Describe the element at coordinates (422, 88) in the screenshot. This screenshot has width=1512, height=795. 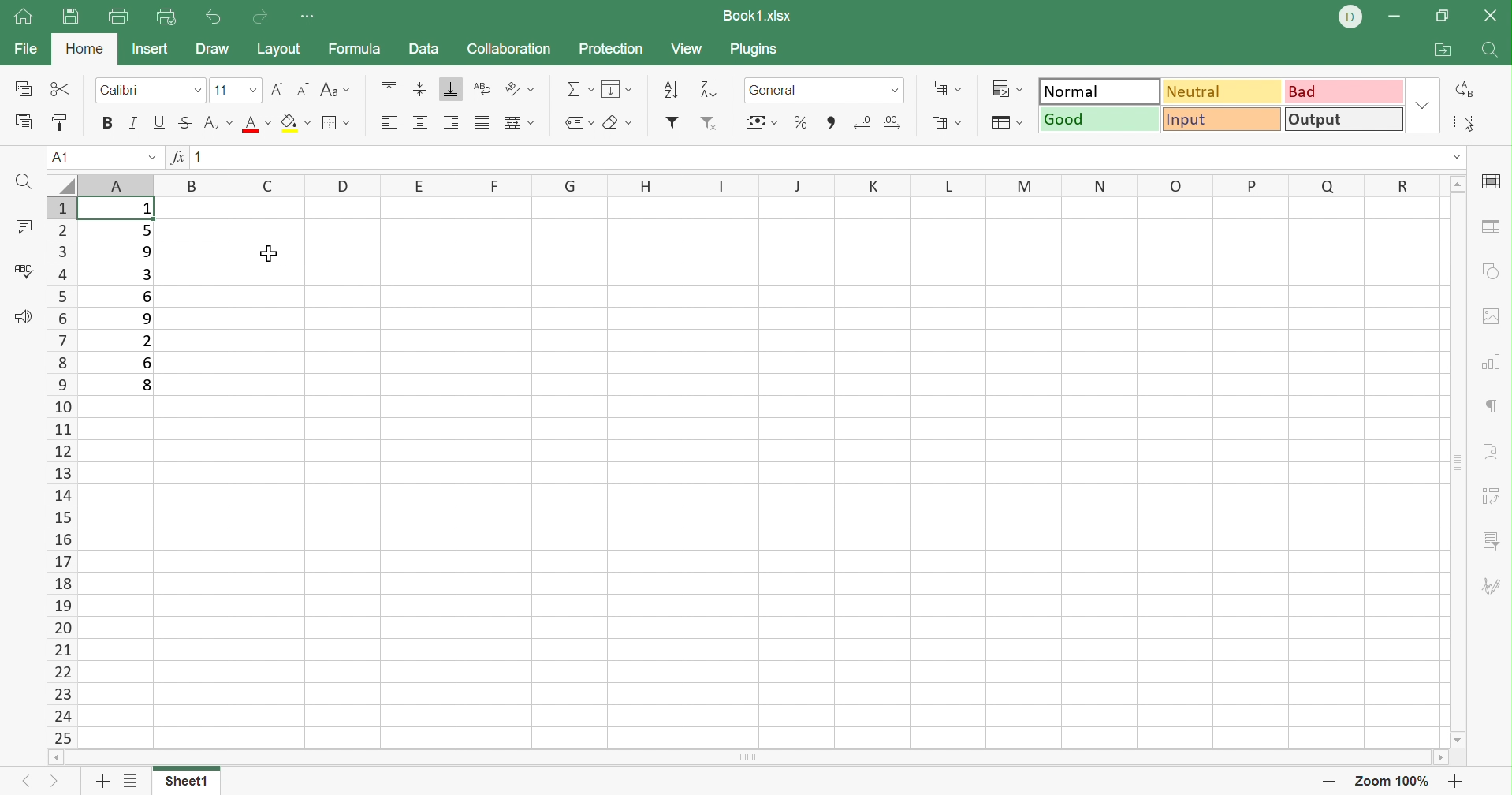
I see `Align Middle` at that location.